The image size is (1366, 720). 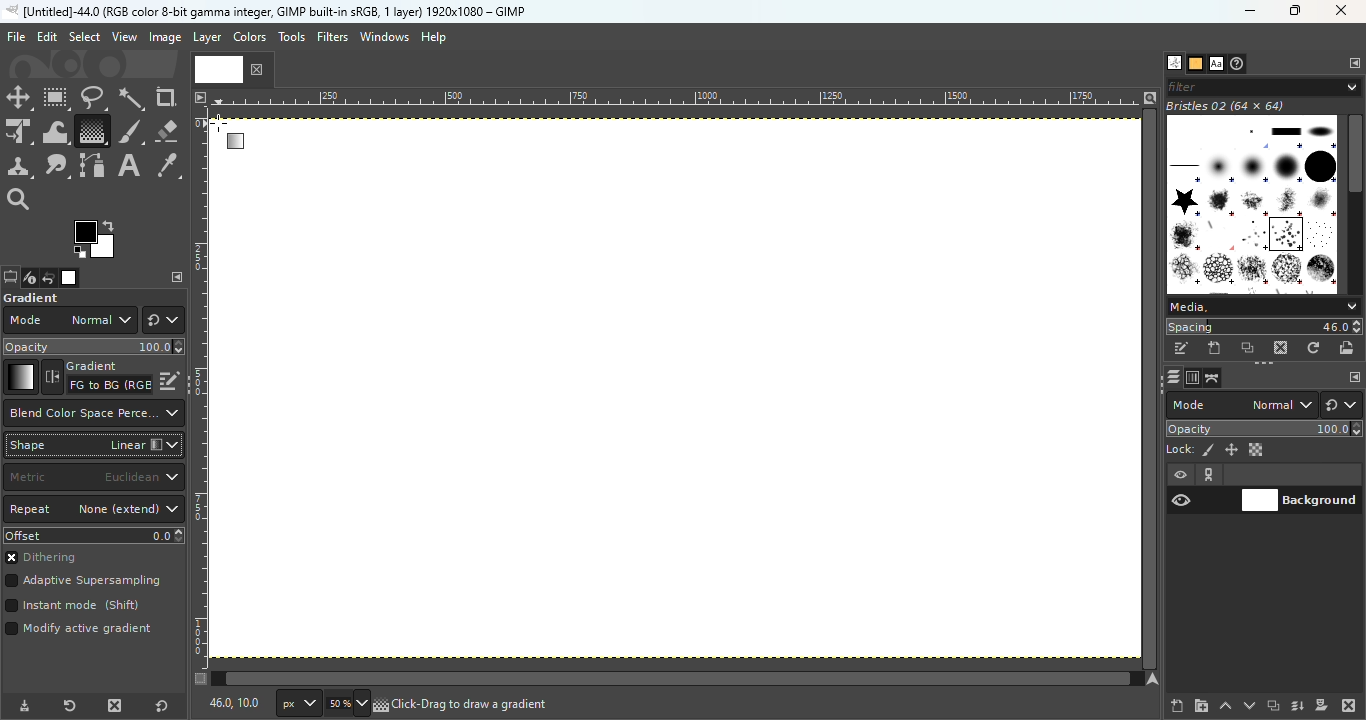 I want to click on Configure this tab, so click(x=1353, y=64).